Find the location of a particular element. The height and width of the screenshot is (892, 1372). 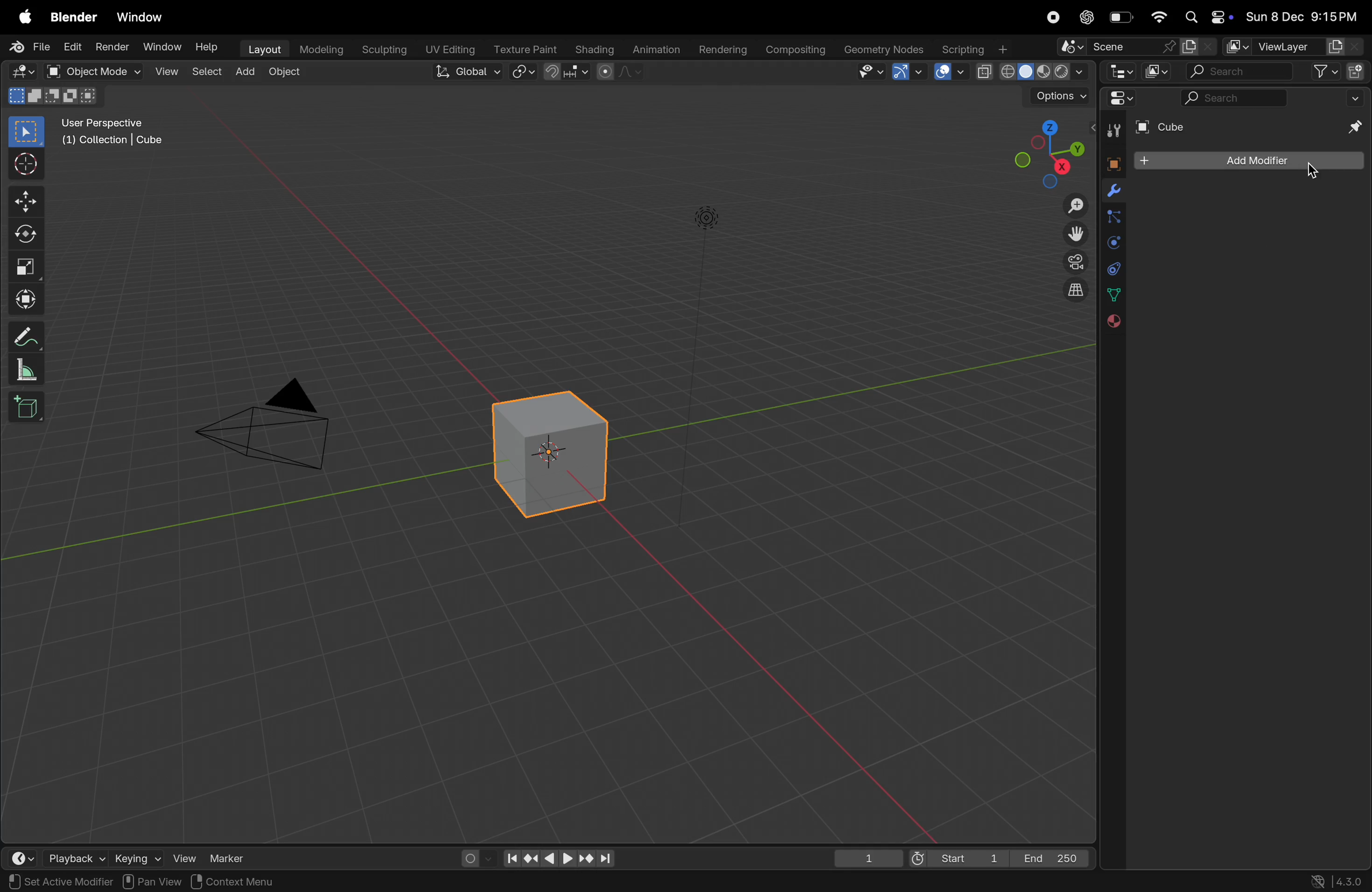

rendering is located at coordinates (721, 50).